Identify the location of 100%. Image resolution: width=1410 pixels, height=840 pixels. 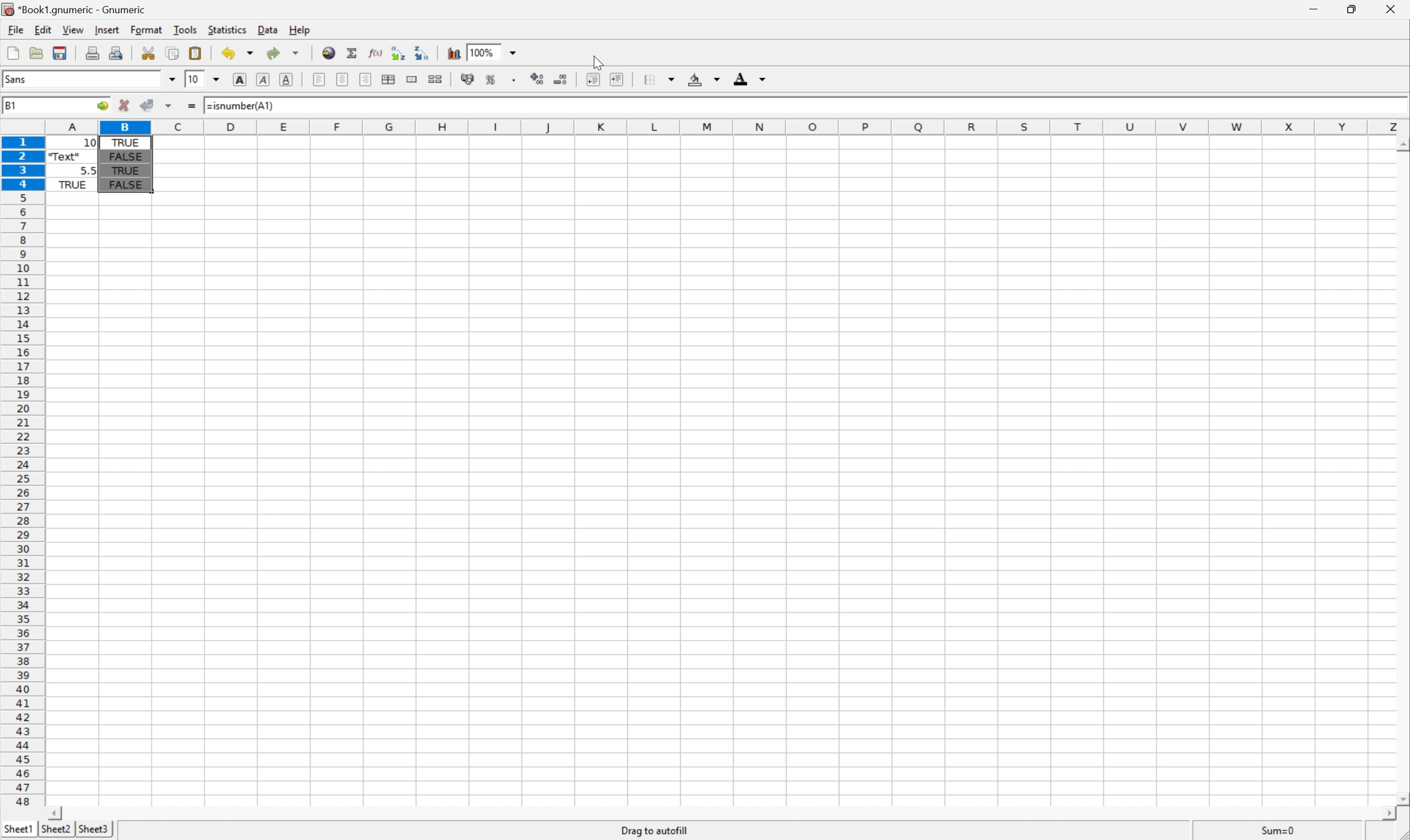
(484, 52).